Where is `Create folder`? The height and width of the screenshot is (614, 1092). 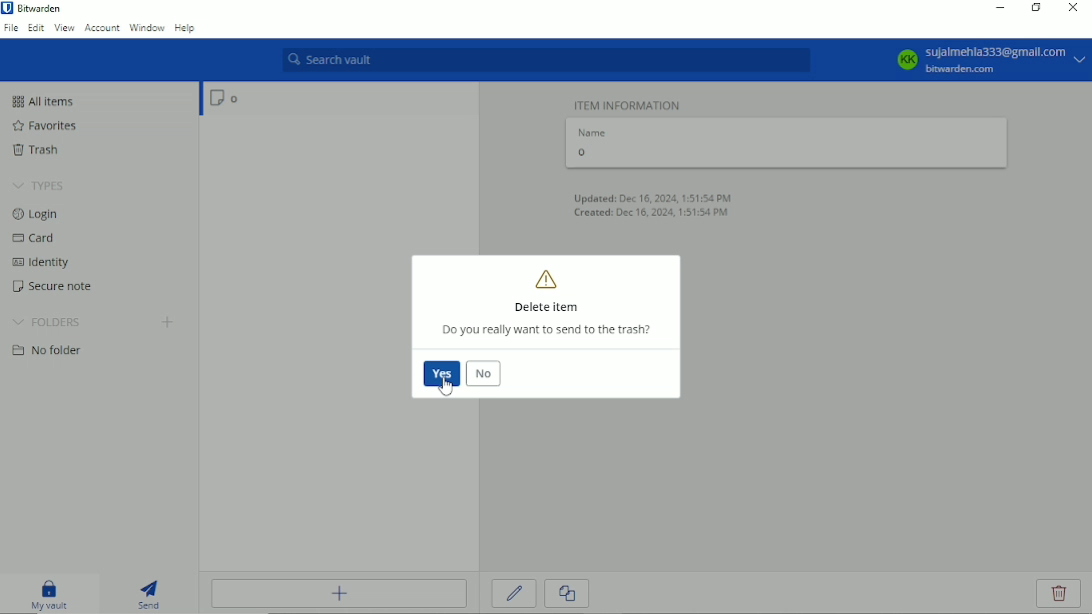
Create folder is located at coordinates (169, 322).